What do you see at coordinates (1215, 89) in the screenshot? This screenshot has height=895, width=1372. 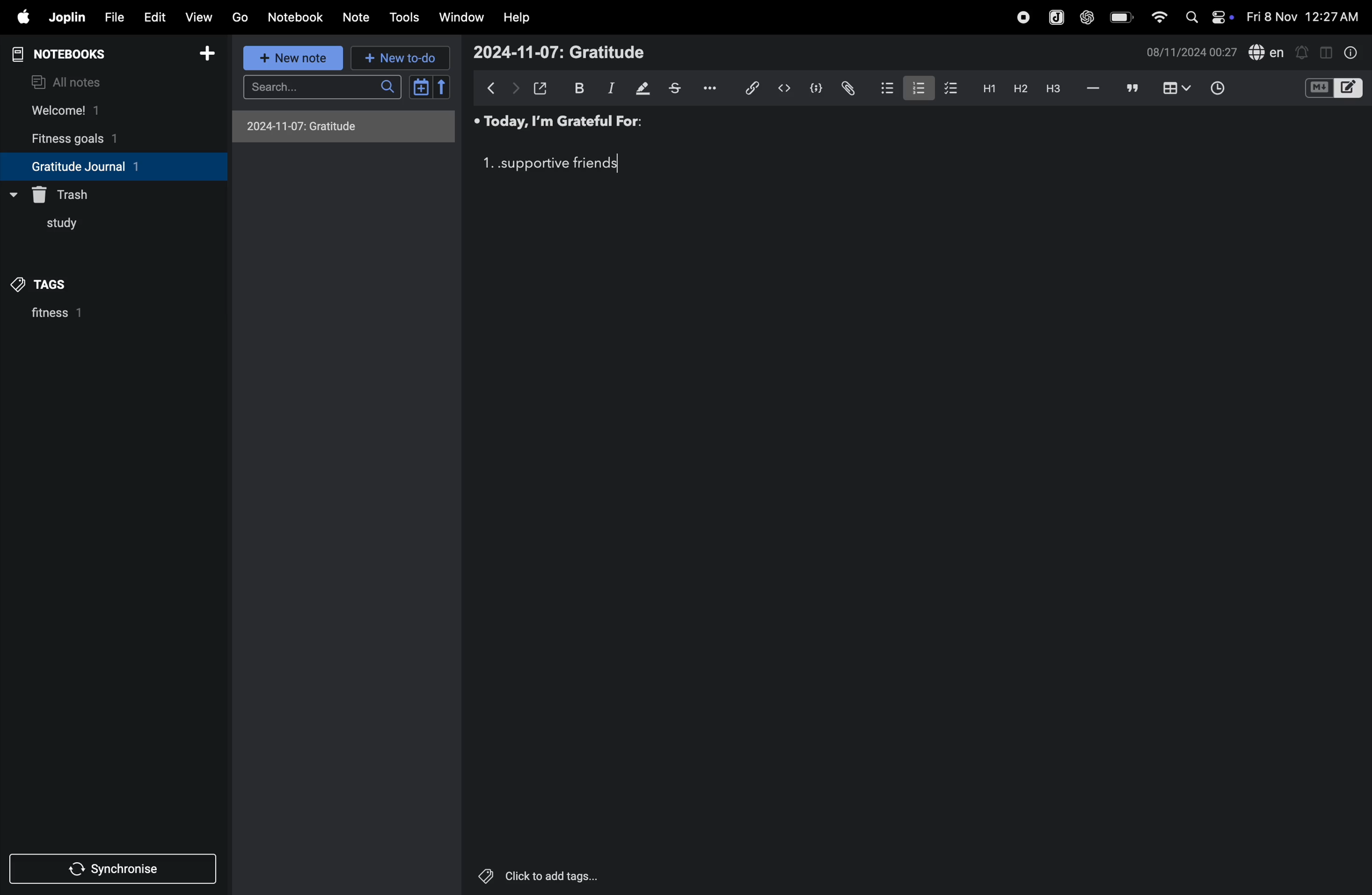 I see `insert time` at bounding box center [1215, 89].